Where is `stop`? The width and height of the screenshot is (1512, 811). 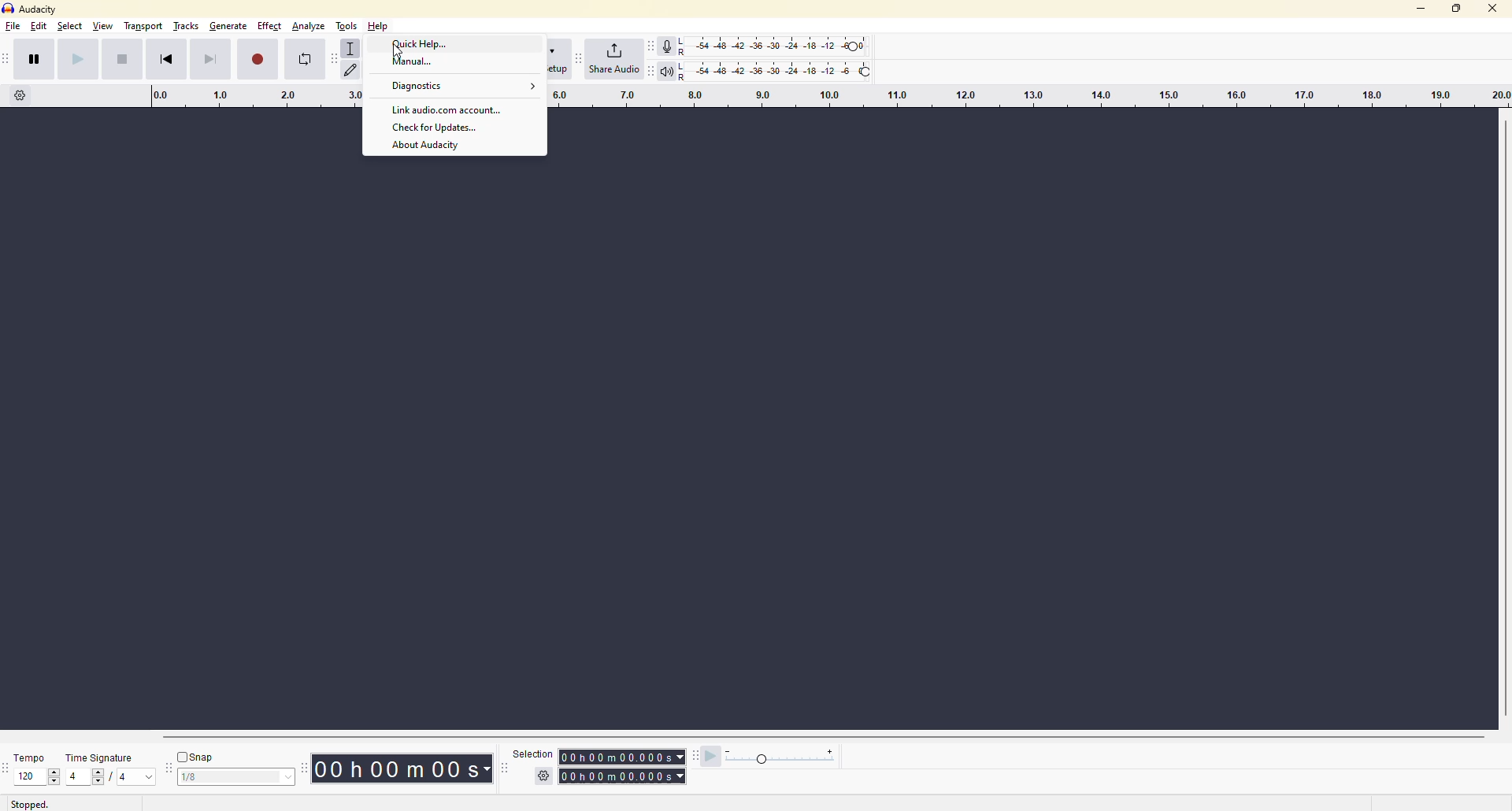
stop is located at coordinates (126, 58).